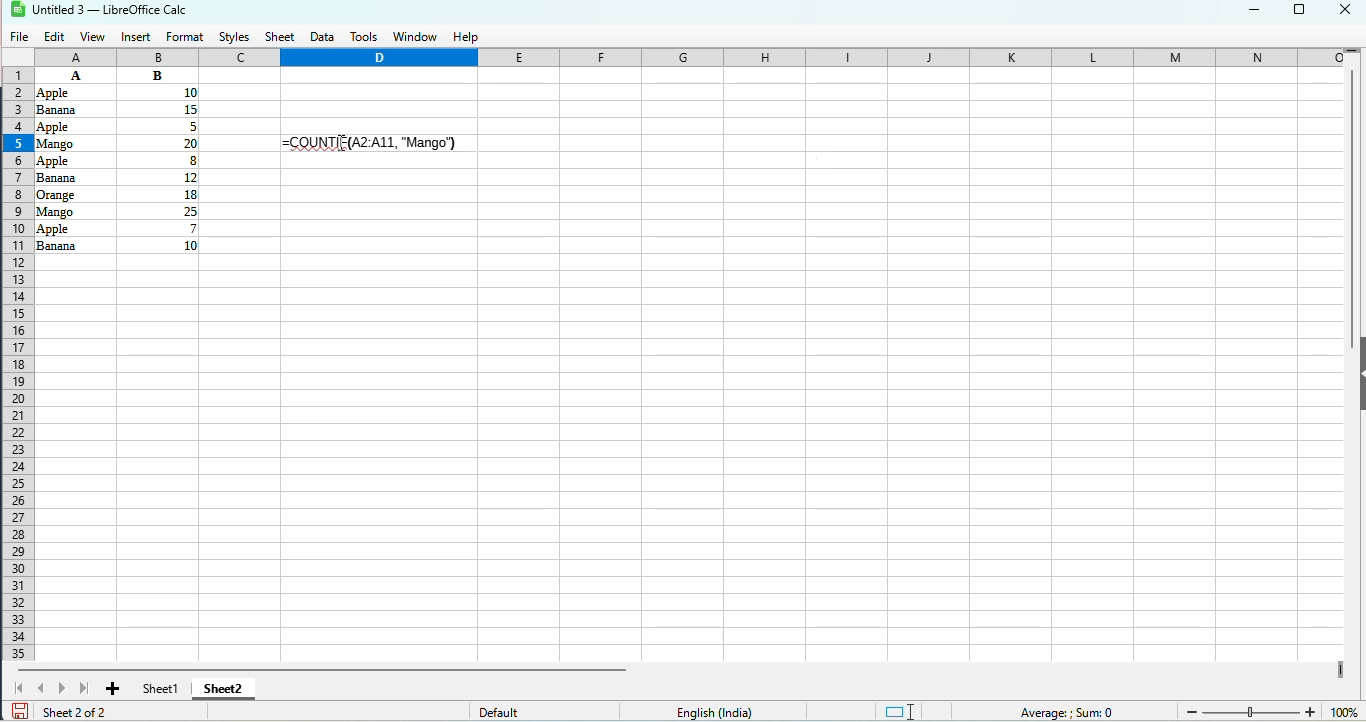  What do you see at coordinates (1357, 374) in the screenshot?
I see `show` at bounding box center [1357, 374].